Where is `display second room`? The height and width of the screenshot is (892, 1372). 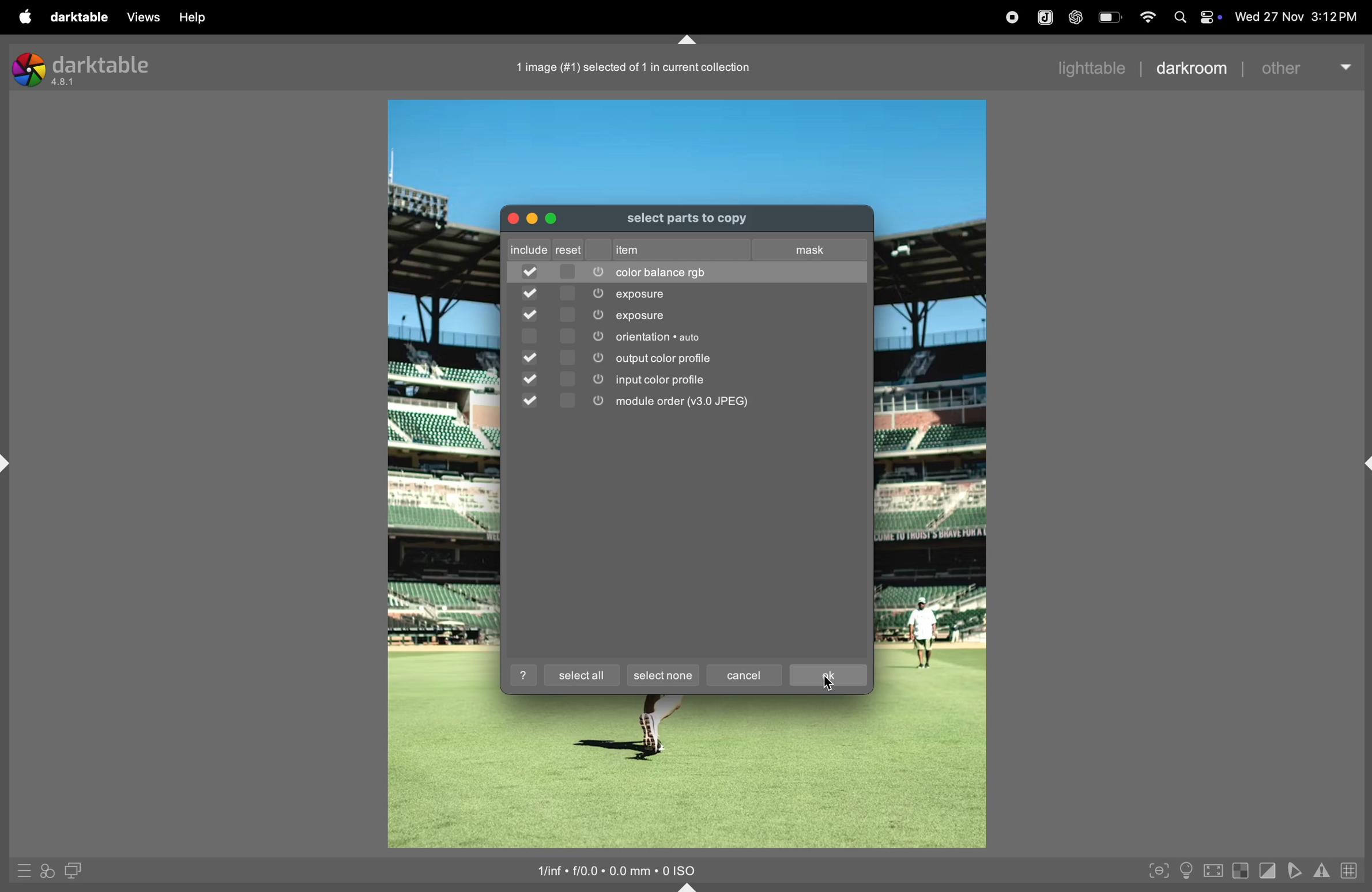 display second room is located at coordinates (76, 869).